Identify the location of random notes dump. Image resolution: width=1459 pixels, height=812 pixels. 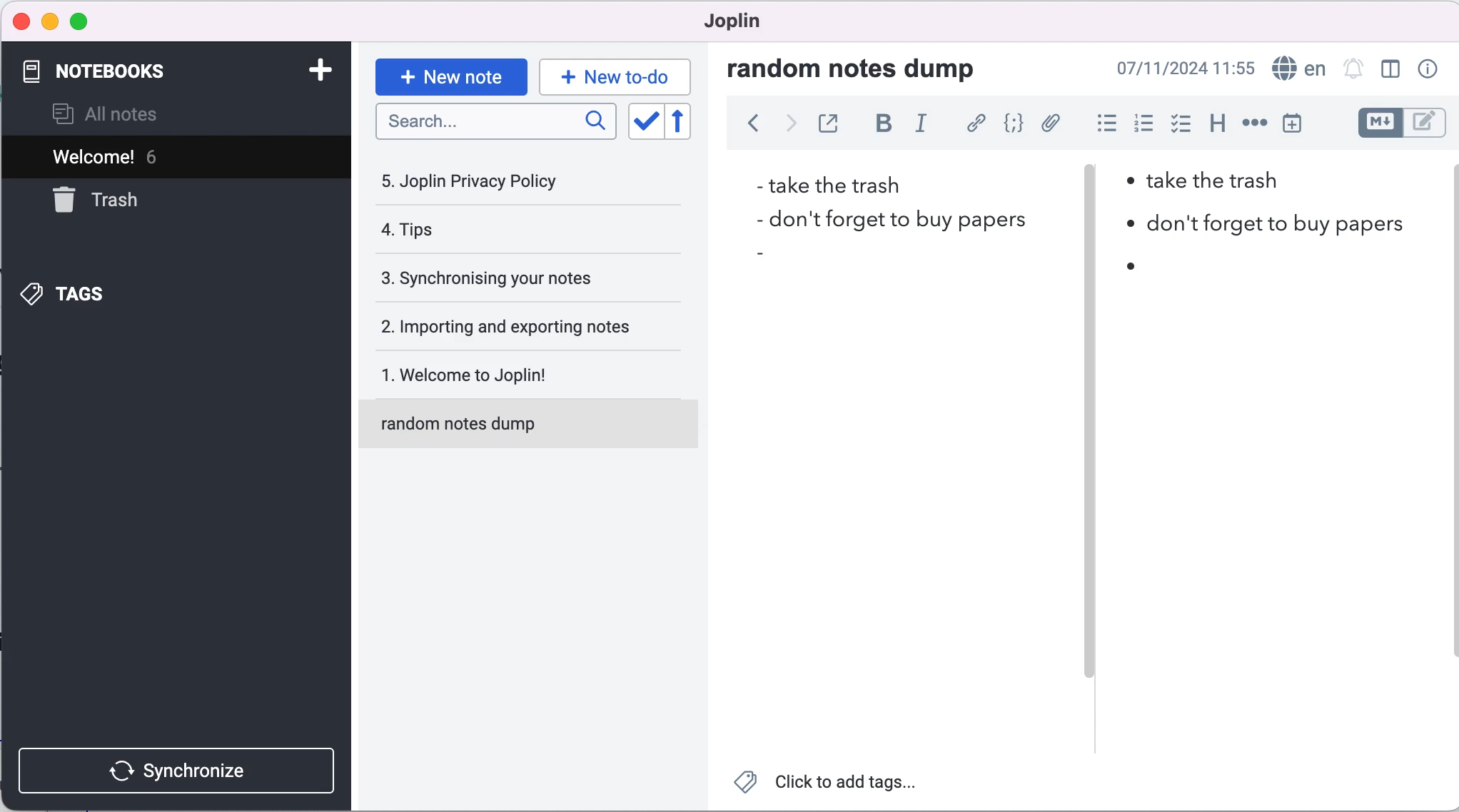
(865, 68).